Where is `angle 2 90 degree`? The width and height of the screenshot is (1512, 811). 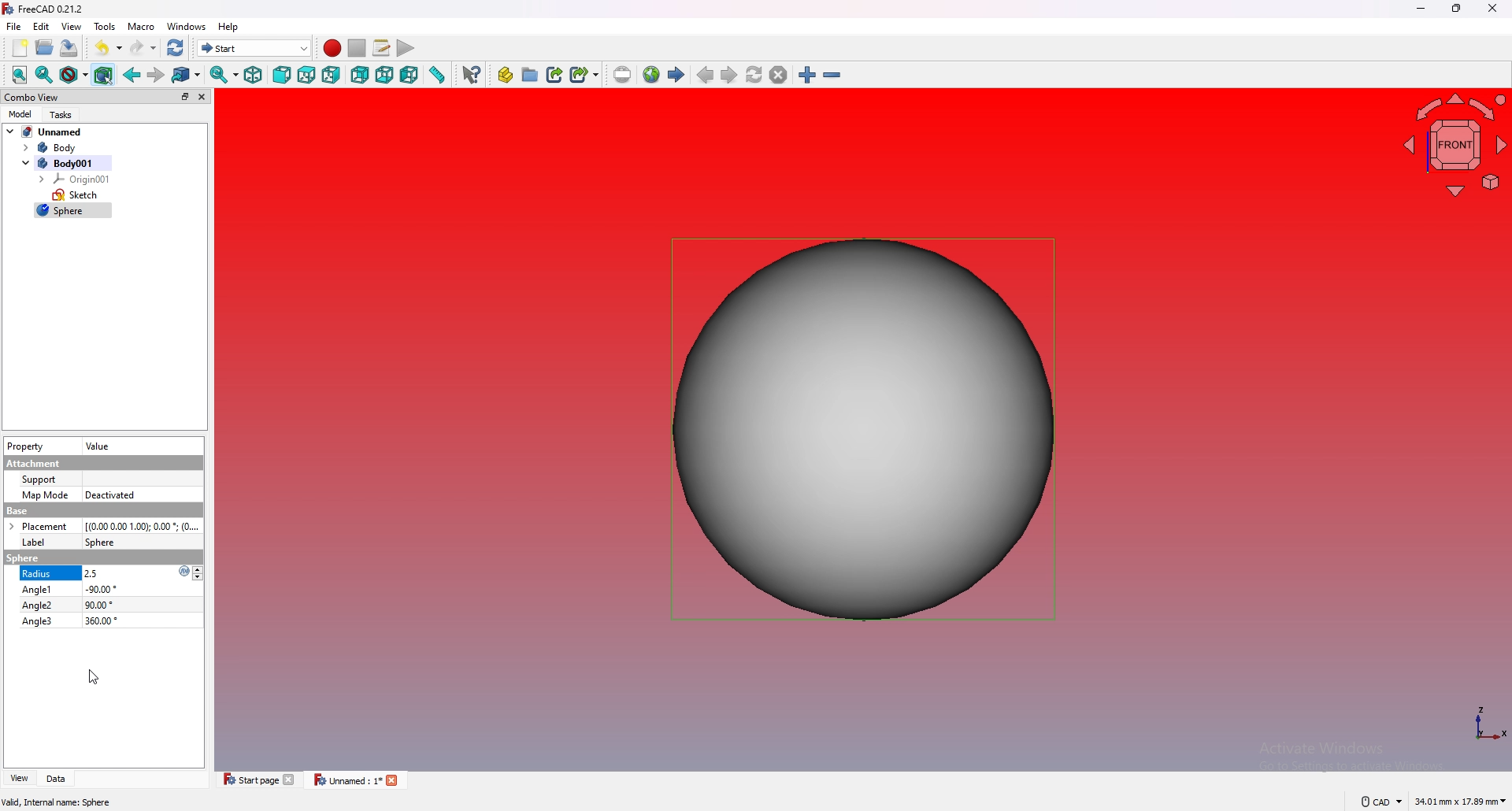 angle 2 90 degree is located at coordinates (68, 605).